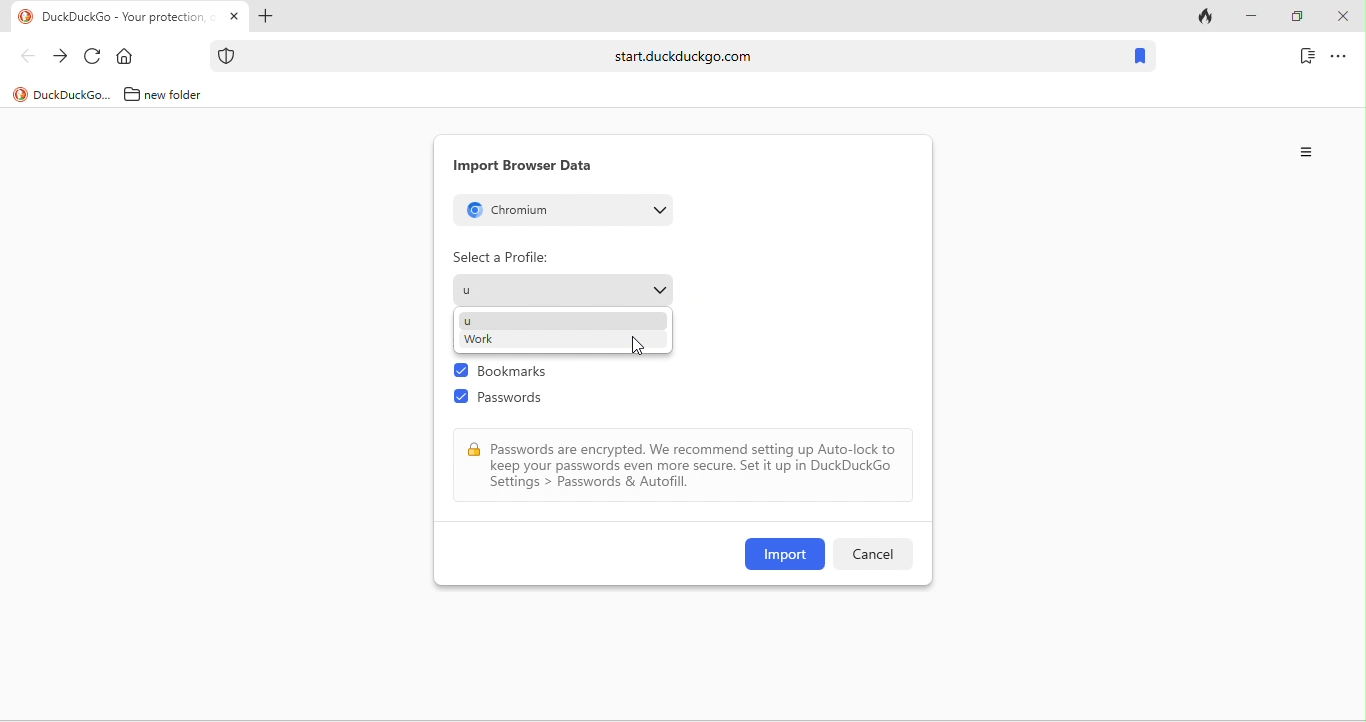 This screenshot has height=722, width=1366. I want to click on close, so click(1342, 17).